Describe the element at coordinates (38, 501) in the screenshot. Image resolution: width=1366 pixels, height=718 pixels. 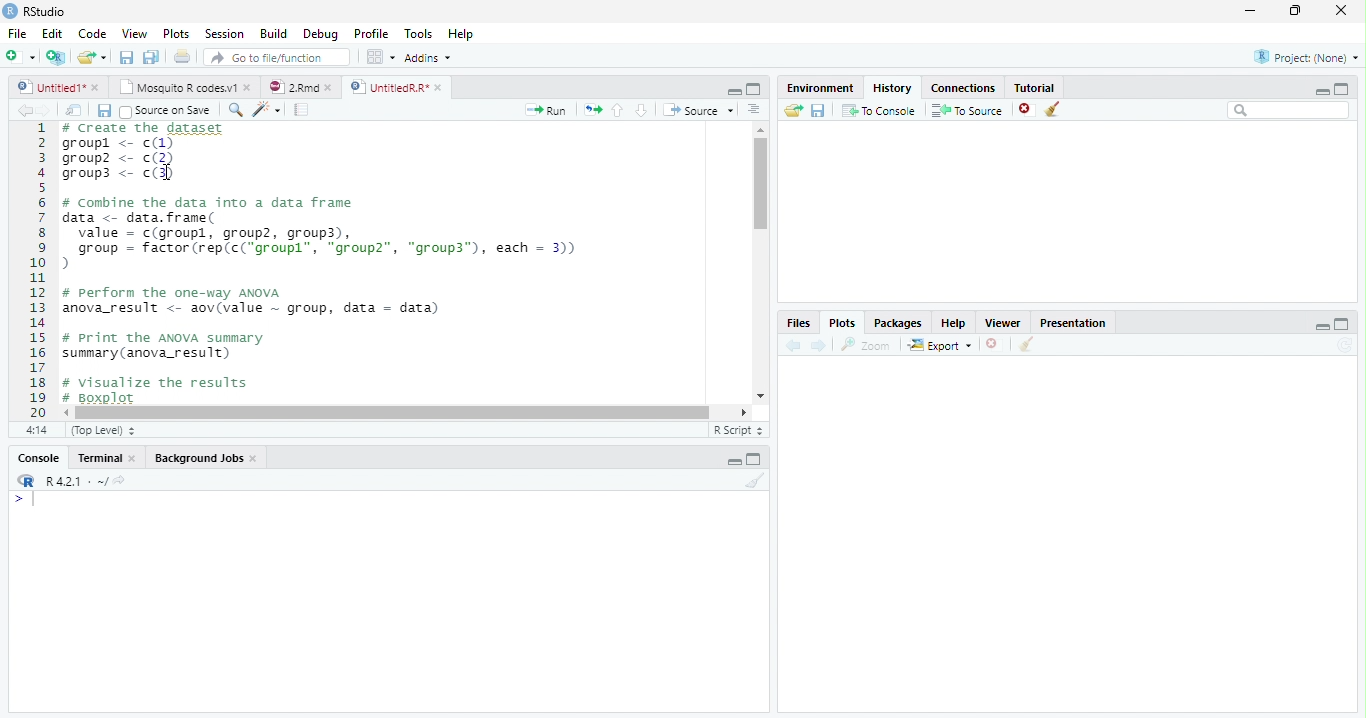
I see `Cursor` at that location.